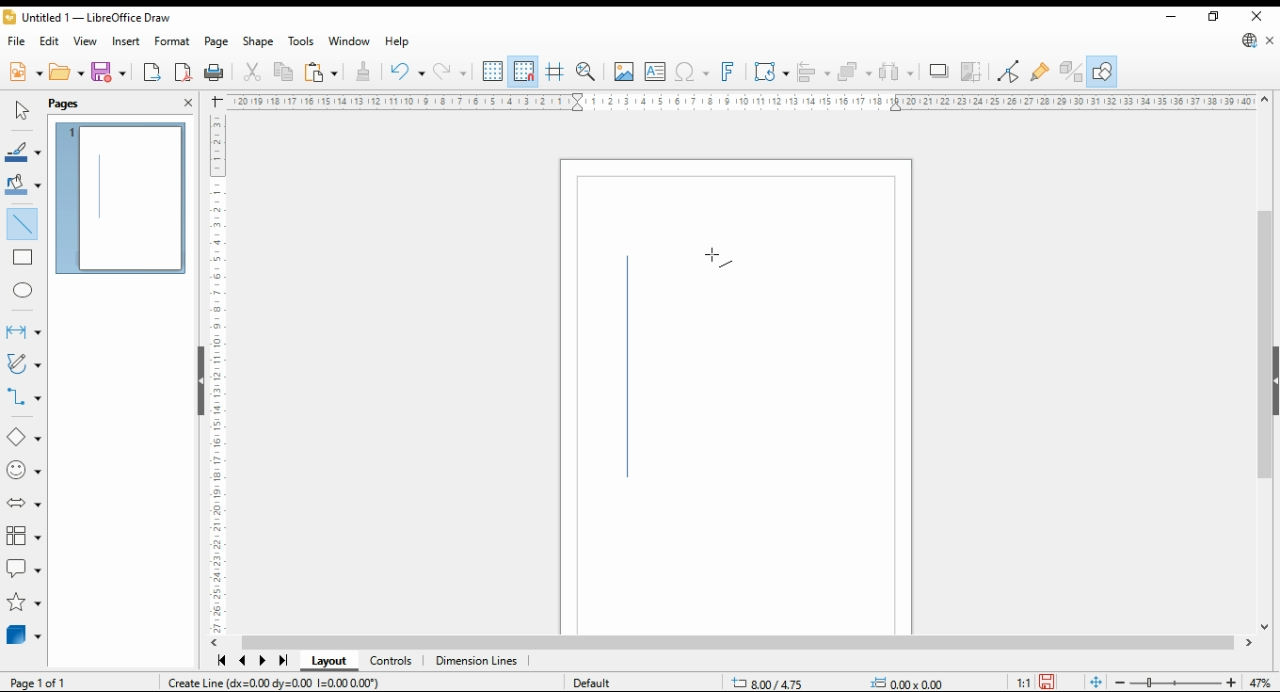 The height and width of the screenshot is (692, 1280). What do you see at coordinates (348, 42) in the screenshot?
I see `window` at bounding box center [348, 42].